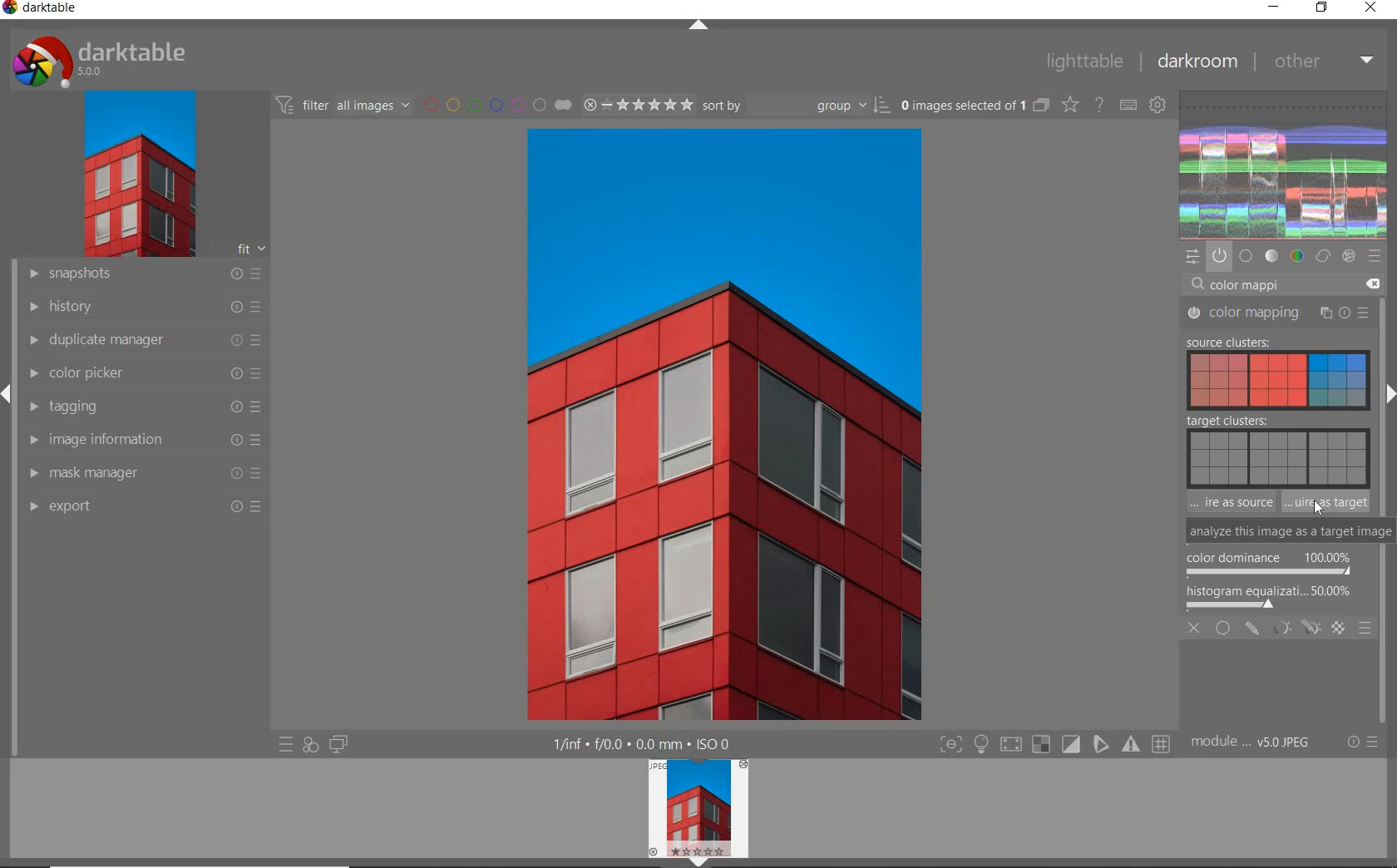 This screenshot has width=1397, height=868. I want to click on CURSOR POSITION, so click(1226, 506).